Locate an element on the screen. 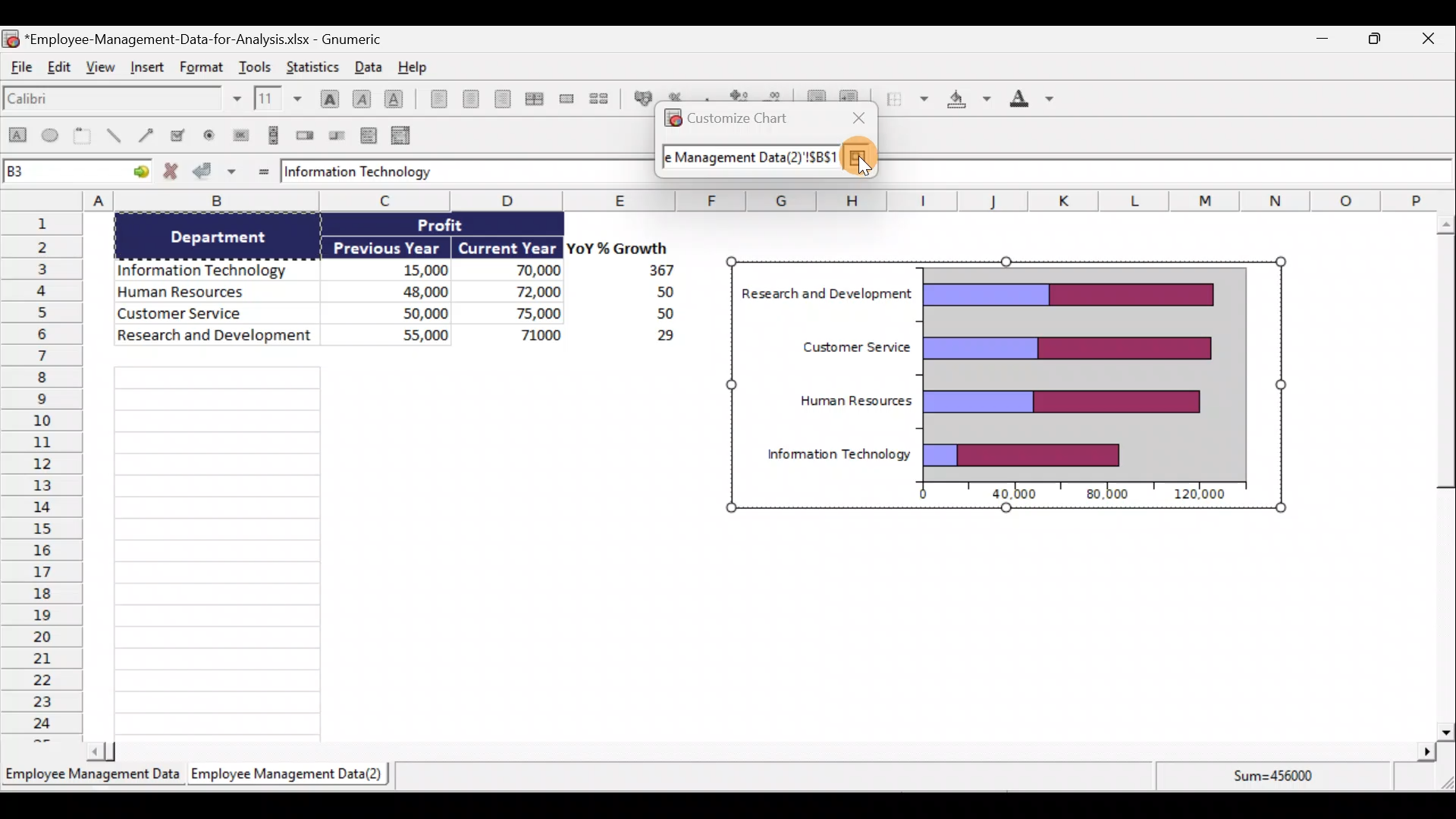  Document name is located at coordinates (194, 37).